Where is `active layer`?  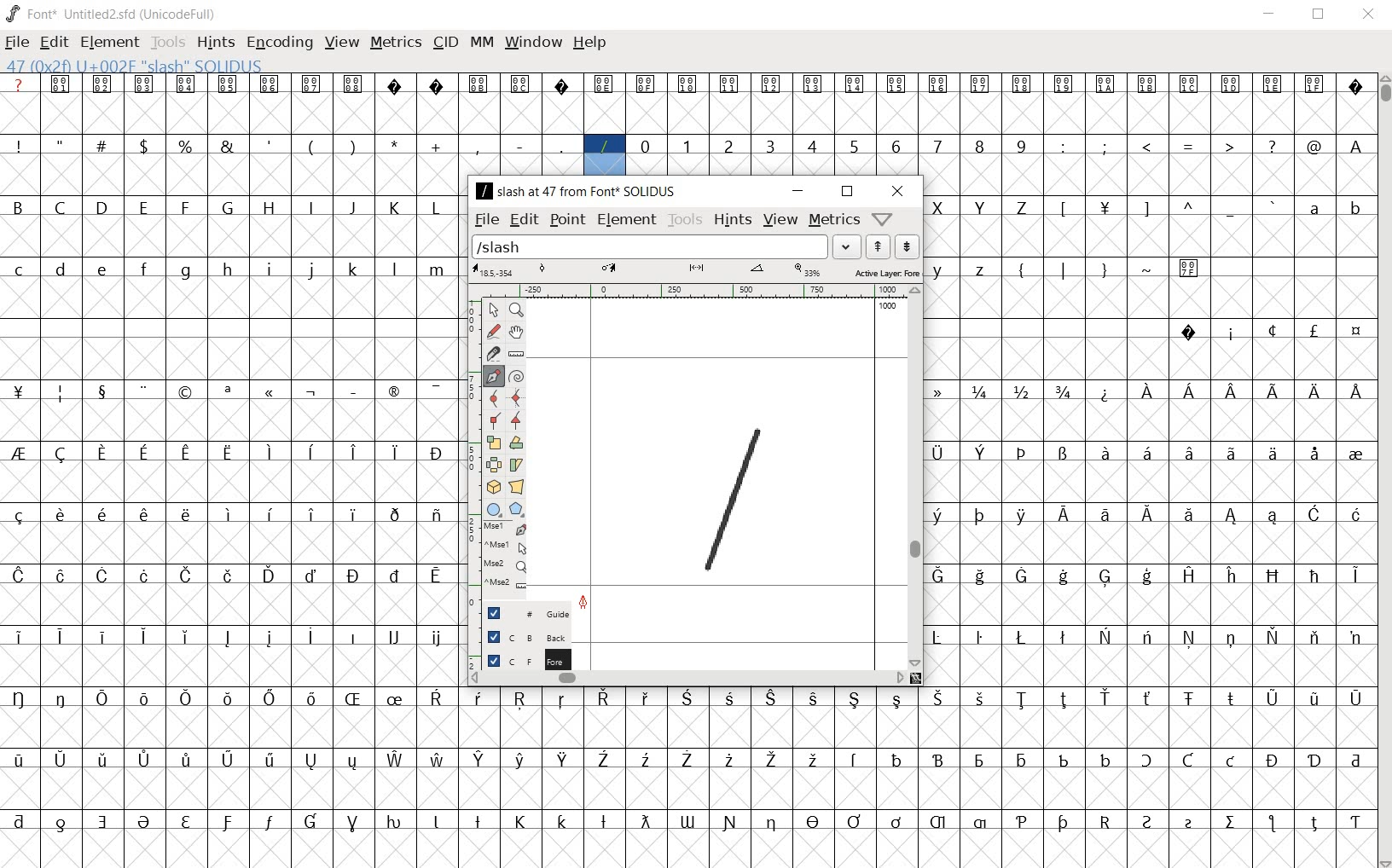 active layer is located at coordinates (699, 271).